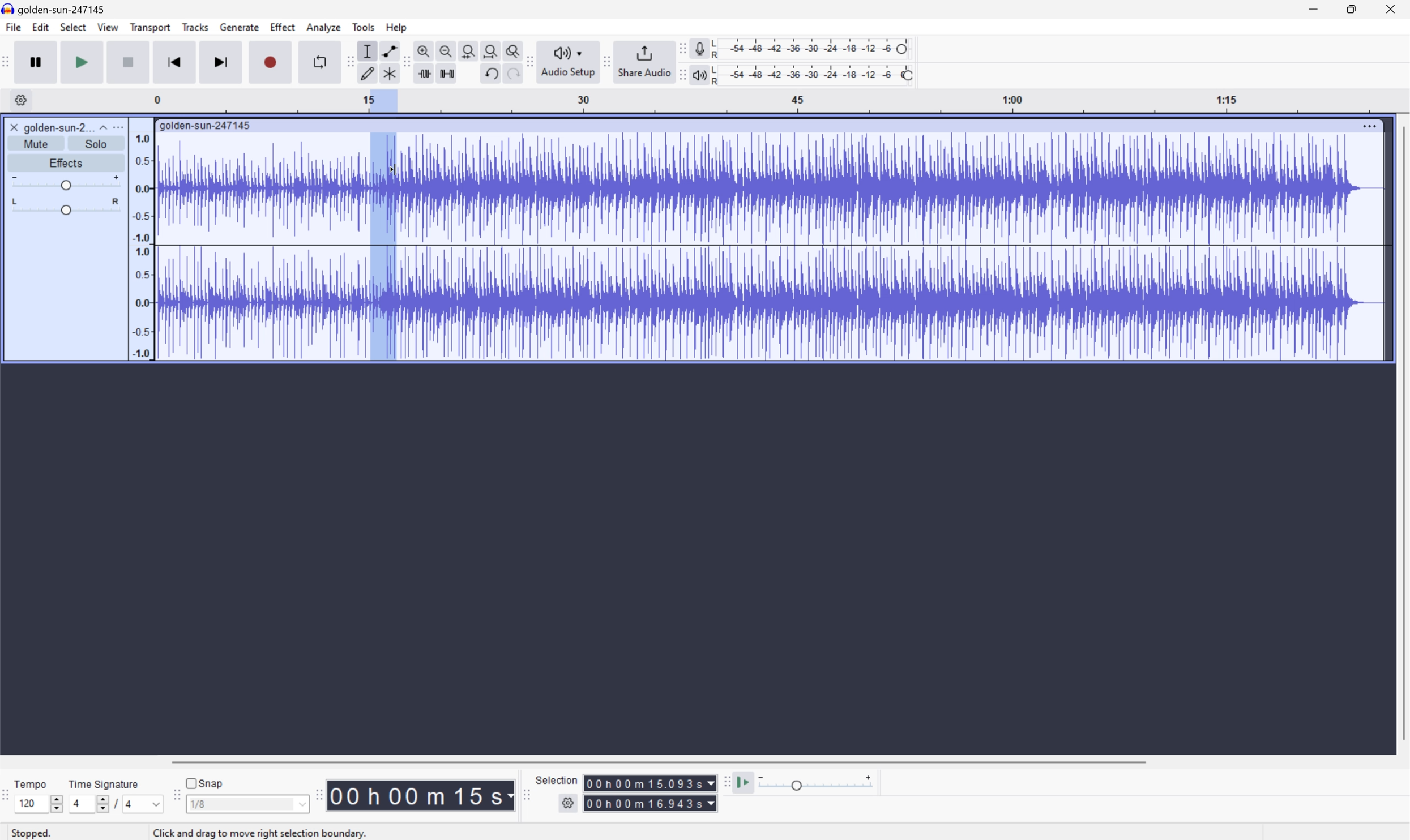 Image resolution: width=1410 pixels, height=840 pixels. I want to click on Time signature, so click(104, 782).